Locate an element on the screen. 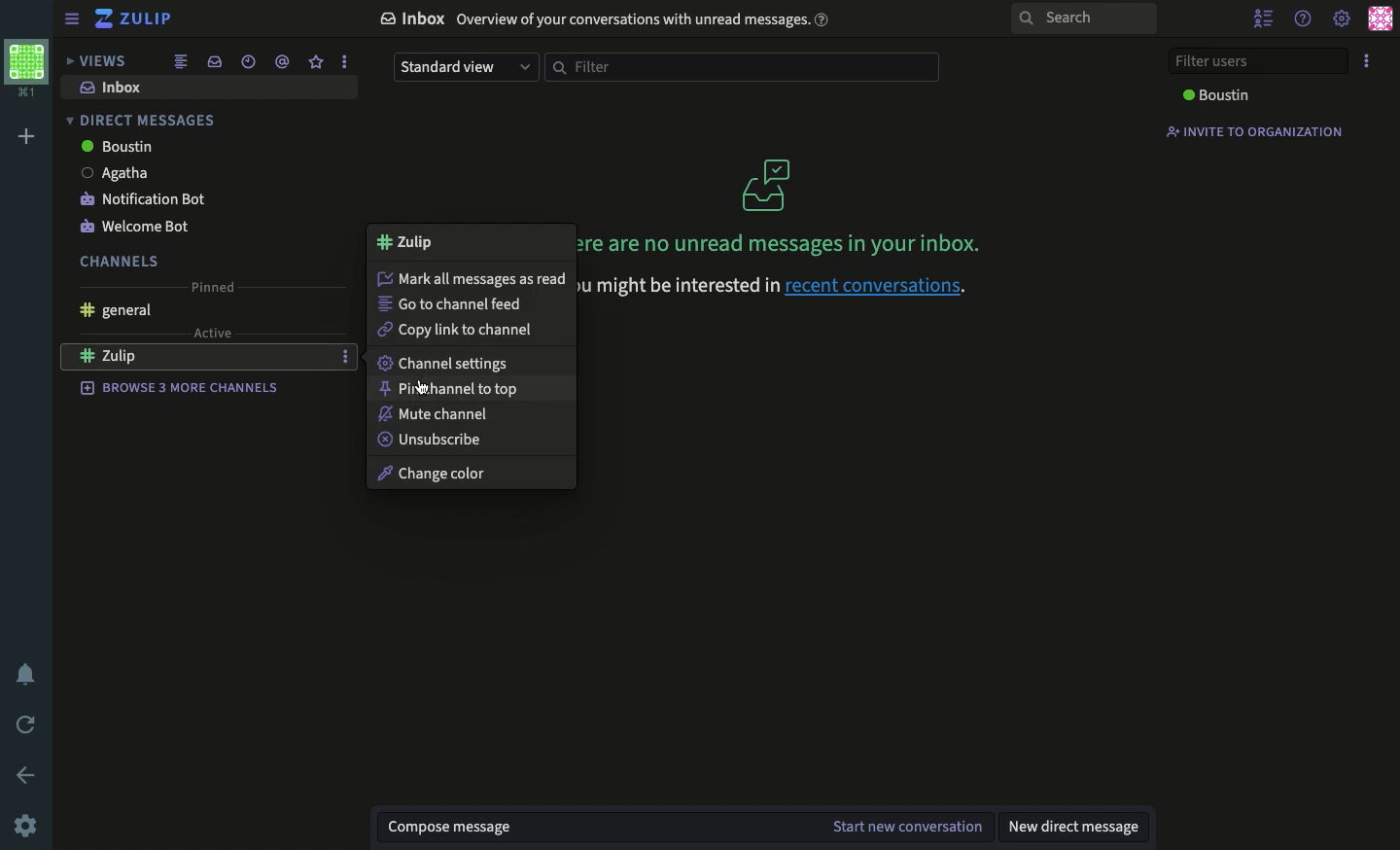 This screenshot has width=1400, height=850. compose message is located at coordinates (453, 827).